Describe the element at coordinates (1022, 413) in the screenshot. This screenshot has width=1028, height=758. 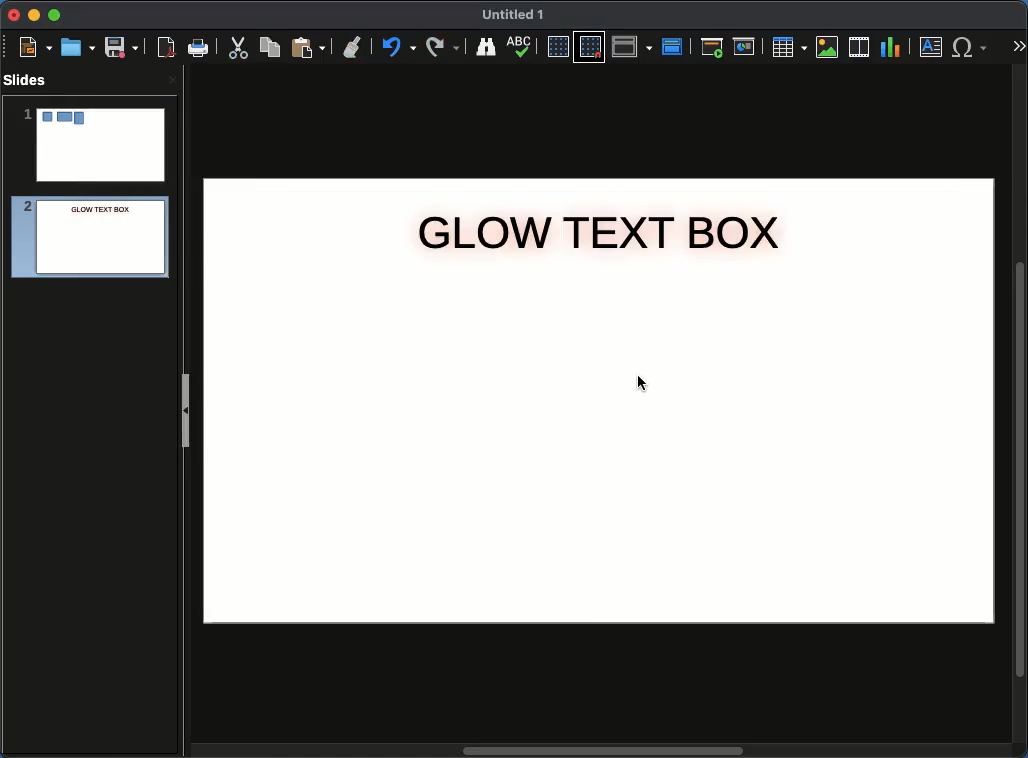
I see `Scroll` at that location.